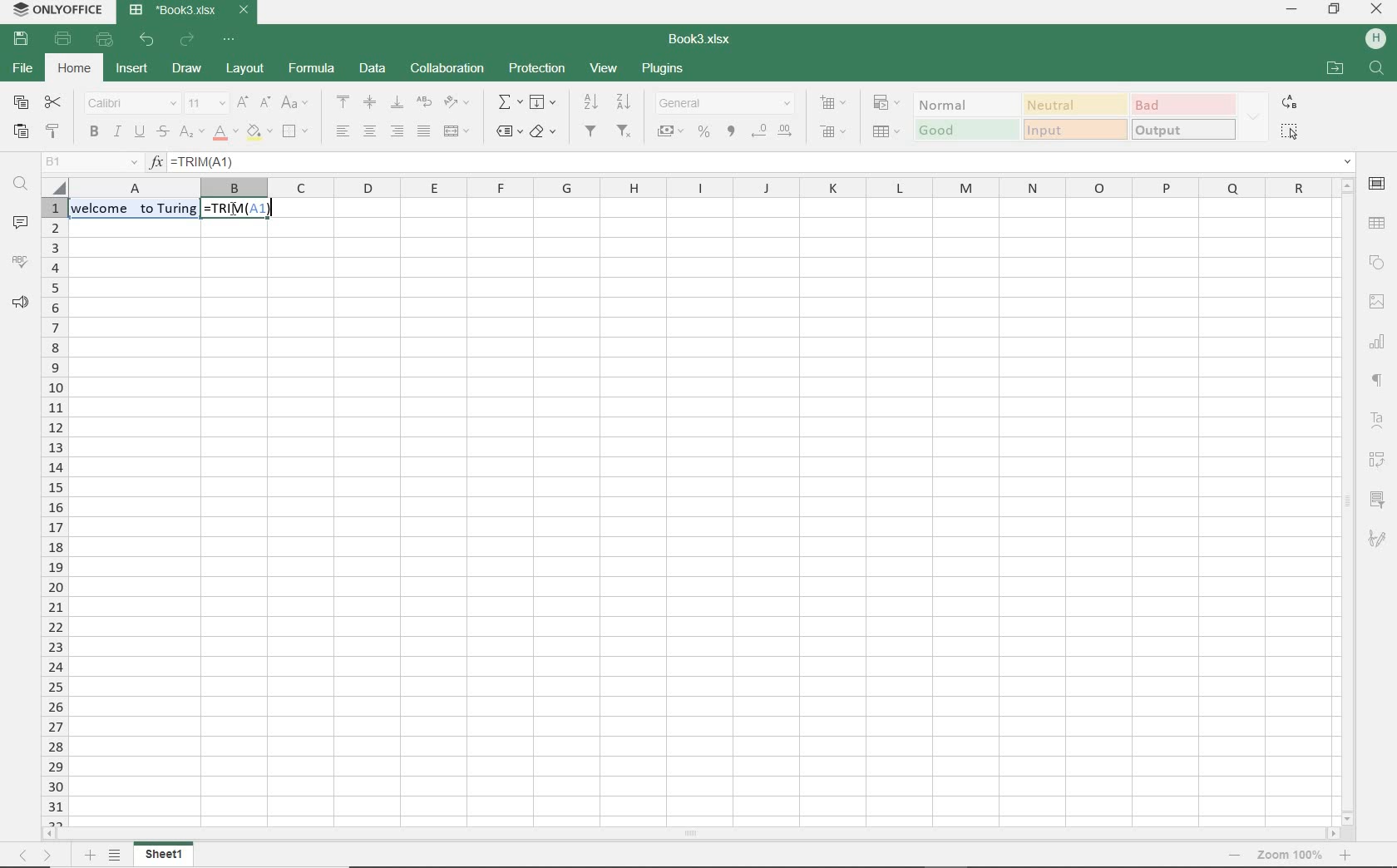 This screenshot has height=868, width=1397. Describe the element at coordinates (56, 510) in the screenshot. I see `rows` at that location.